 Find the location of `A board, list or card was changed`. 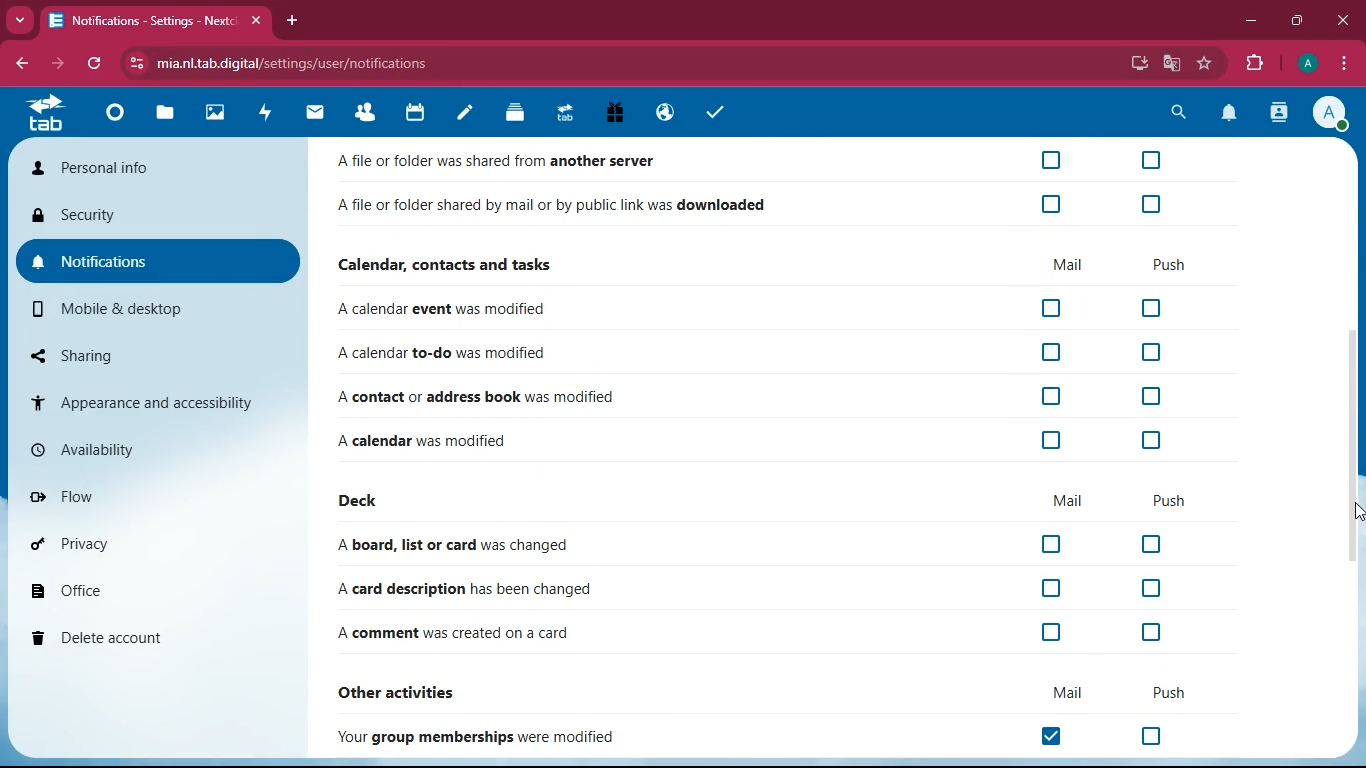

A board, list or card was changed is located at coordinates (460, 546).